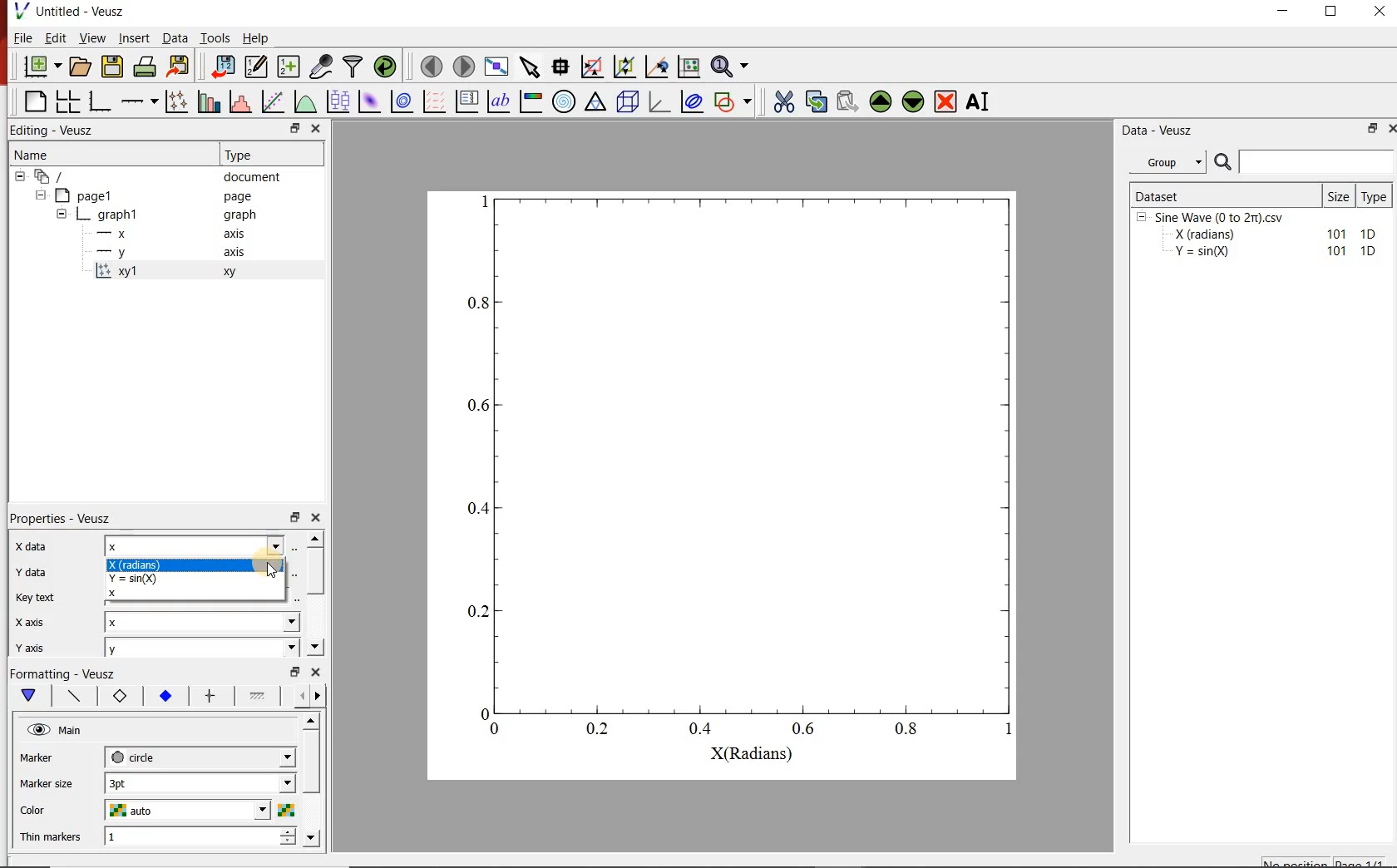 Image resolution: width=1397 pixels, height=868 pixels. Describe the element at coordinates (431, 66) in the screenshot. I see `go to previous page` at that location.